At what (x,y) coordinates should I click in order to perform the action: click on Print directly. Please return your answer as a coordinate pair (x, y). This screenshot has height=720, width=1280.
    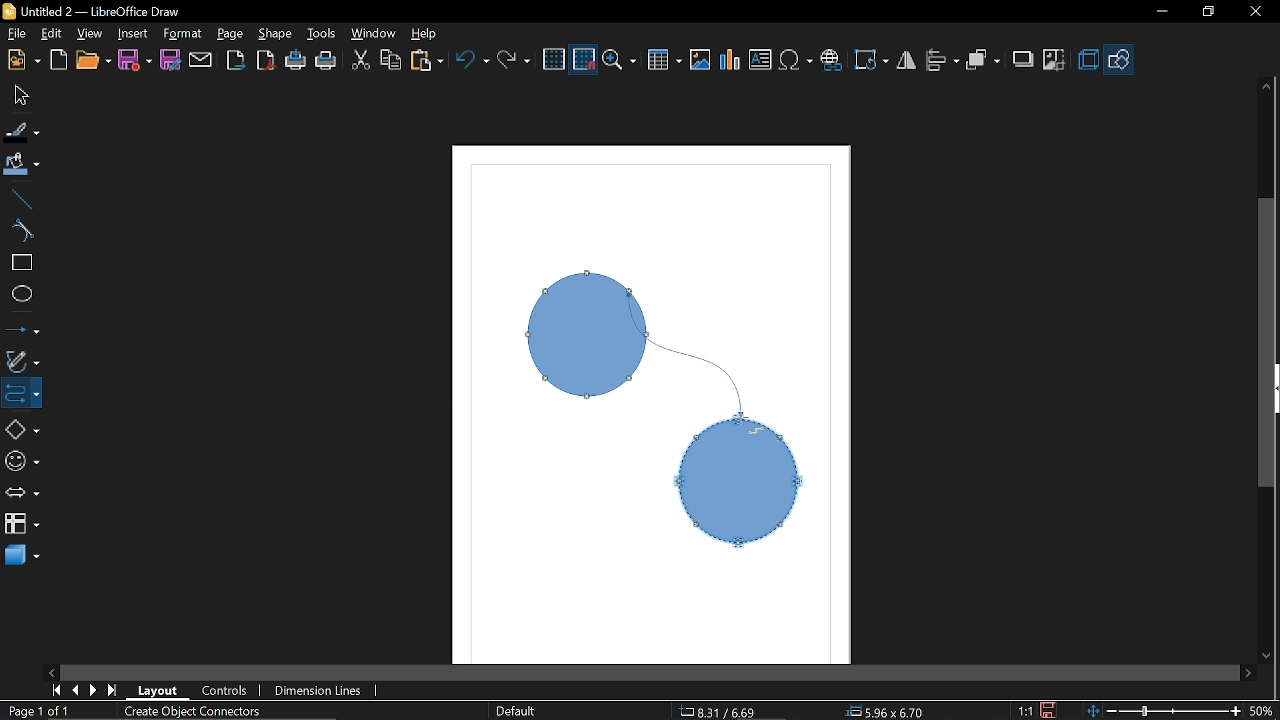
    Looking at the image, I should click on (297, 60).